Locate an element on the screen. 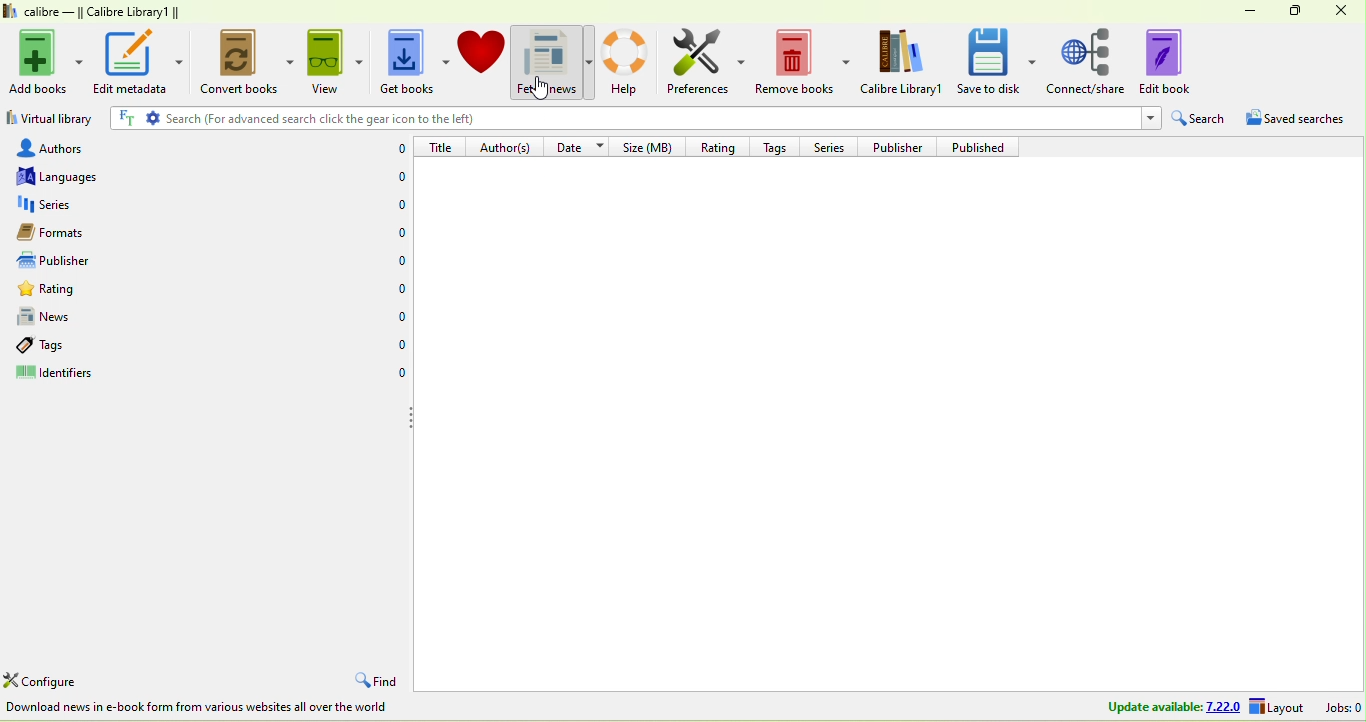 Image resolution: width=1366 pixels, height=722 pixels. date is located at coordinates (580, 146).